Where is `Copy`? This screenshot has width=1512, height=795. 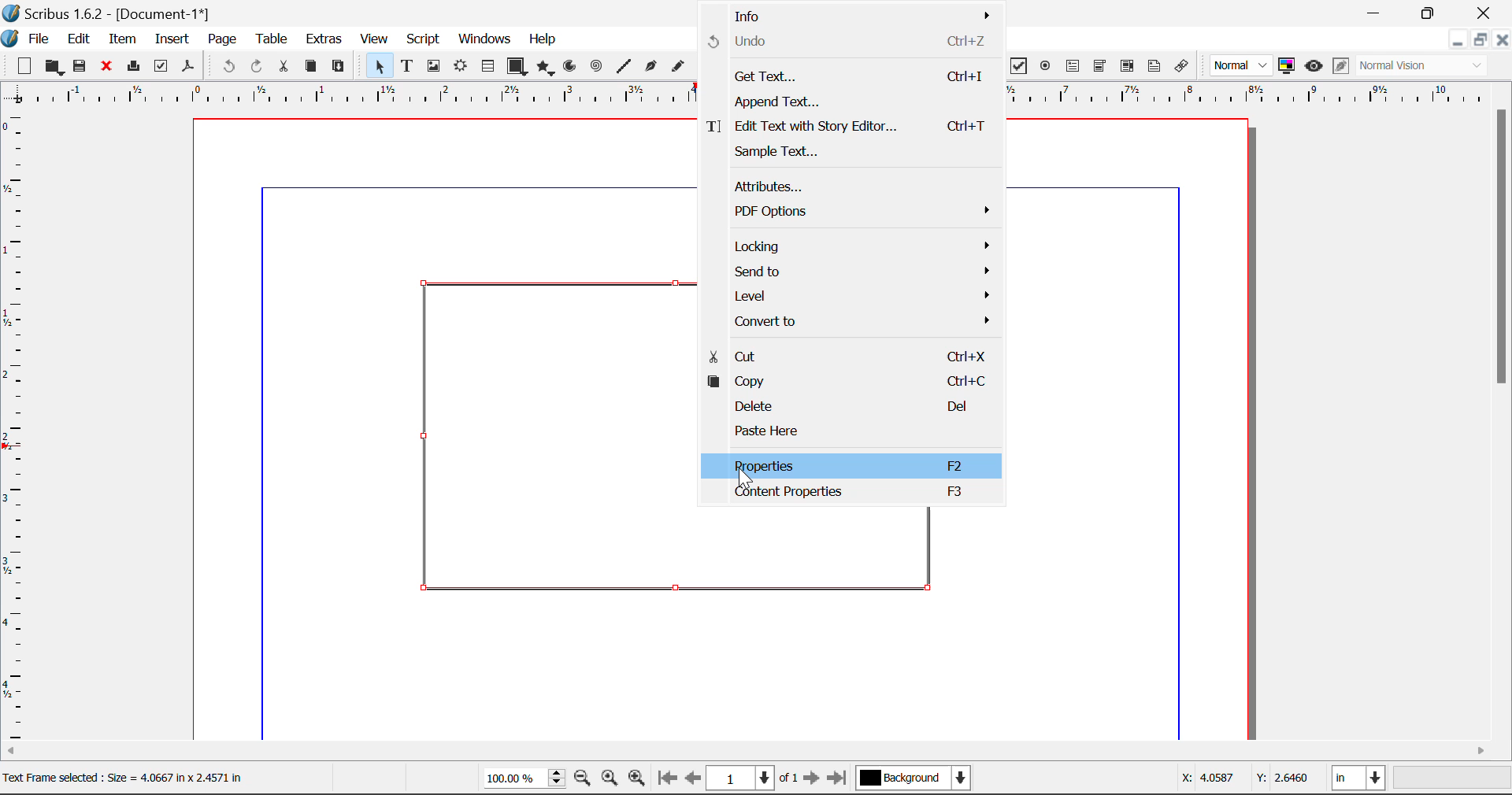 Copy is located at coordinates (850, 383).